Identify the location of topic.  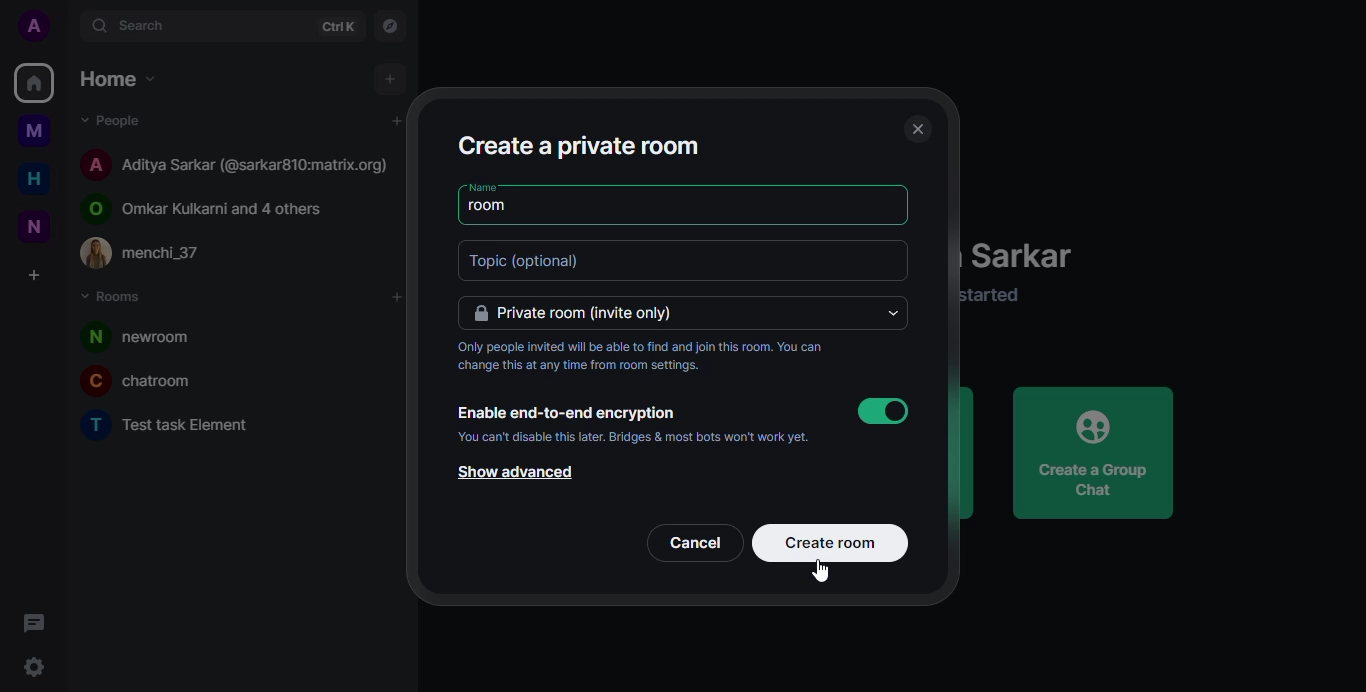
(536, 261).